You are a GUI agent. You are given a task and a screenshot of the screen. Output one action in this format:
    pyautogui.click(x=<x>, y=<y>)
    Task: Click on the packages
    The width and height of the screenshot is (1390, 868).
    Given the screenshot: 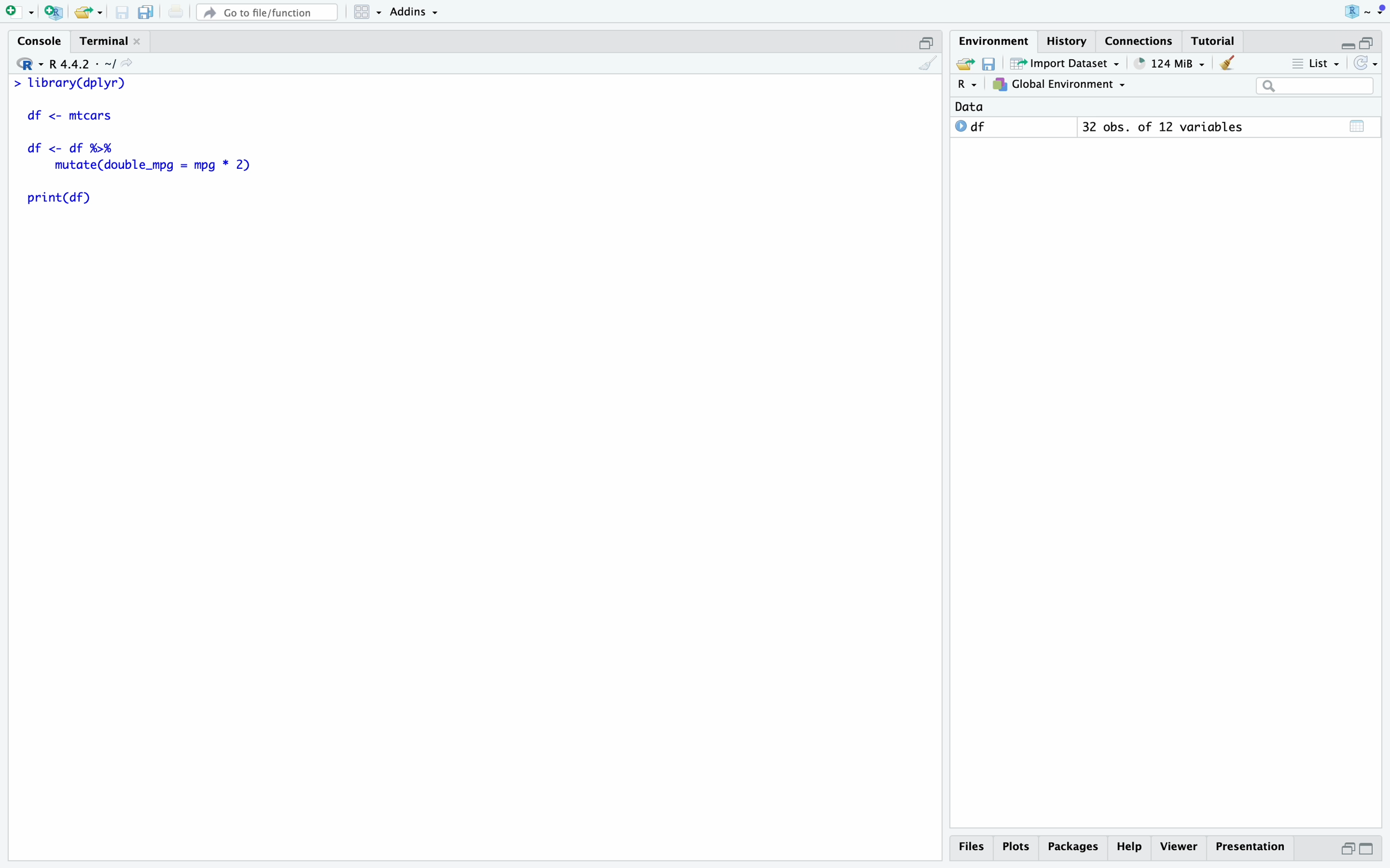 What is the action you would take?
    pyautogui.click(x=1074, y=849)
    